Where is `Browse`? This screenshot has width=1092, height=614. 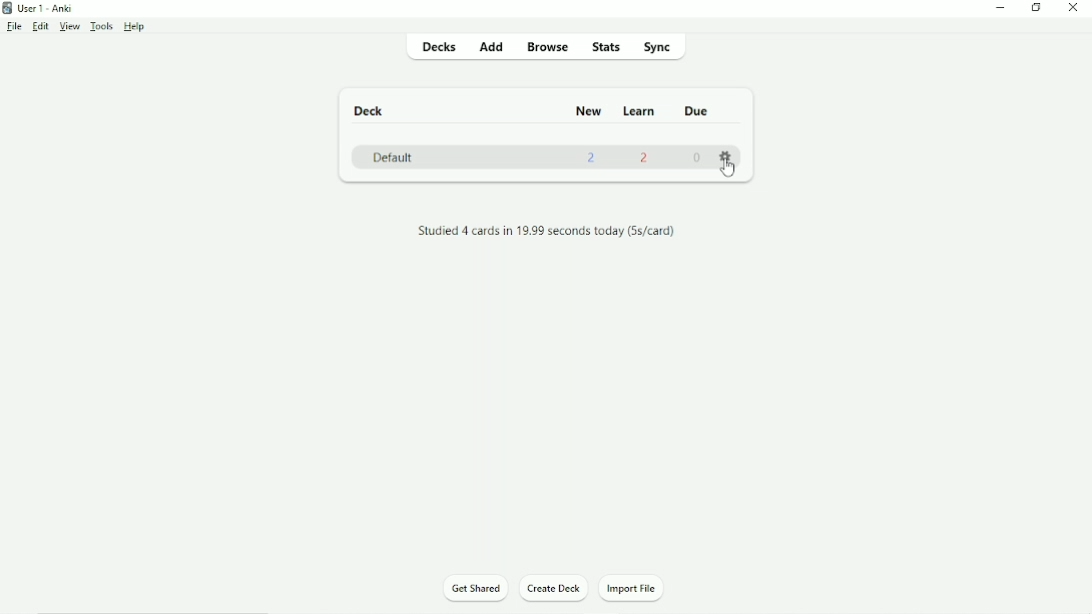 Browse is located at coordinates (549, 49).